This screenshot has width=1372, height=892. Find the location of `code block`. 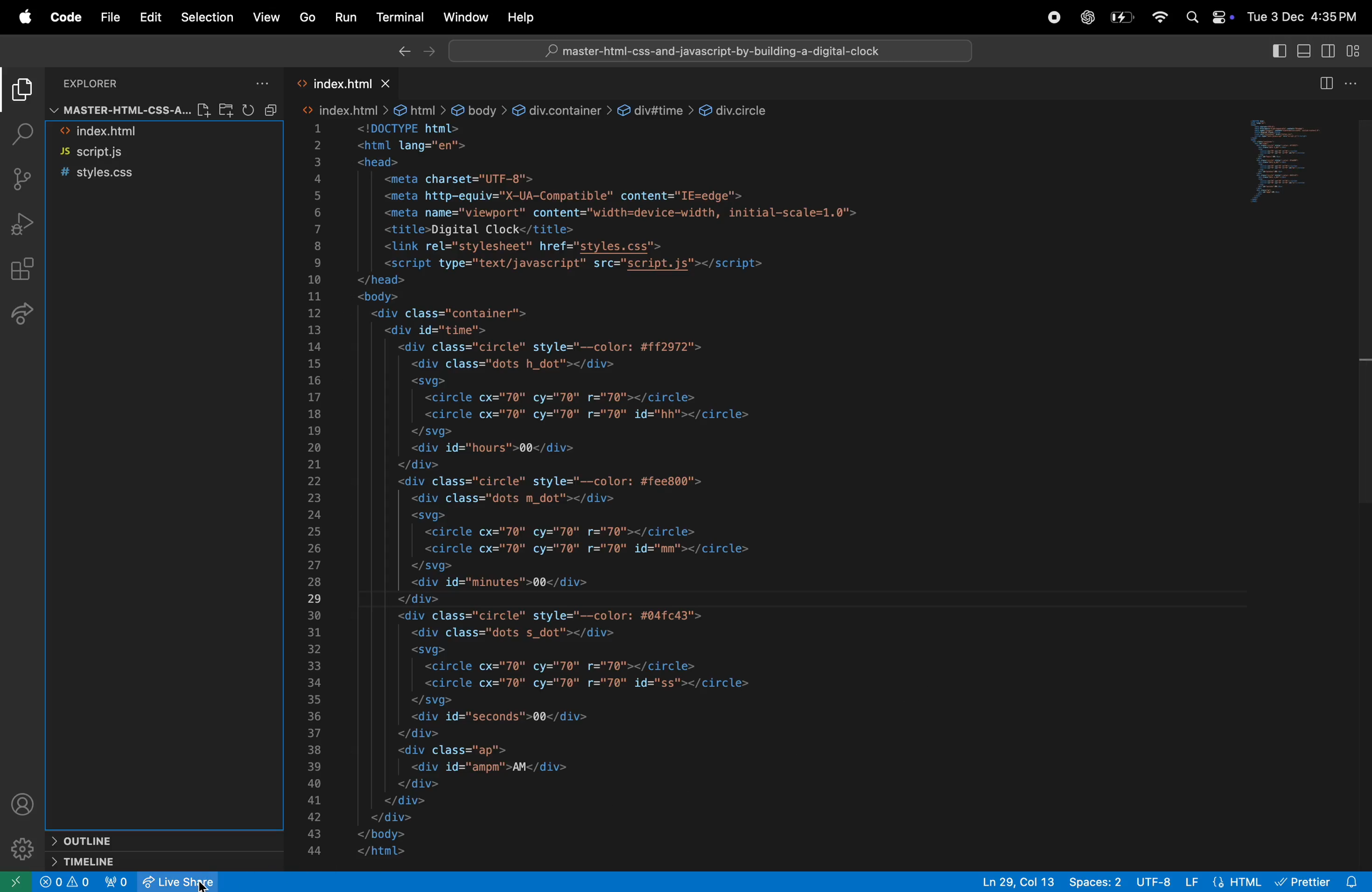

code block is located at coordinates (693, 480).